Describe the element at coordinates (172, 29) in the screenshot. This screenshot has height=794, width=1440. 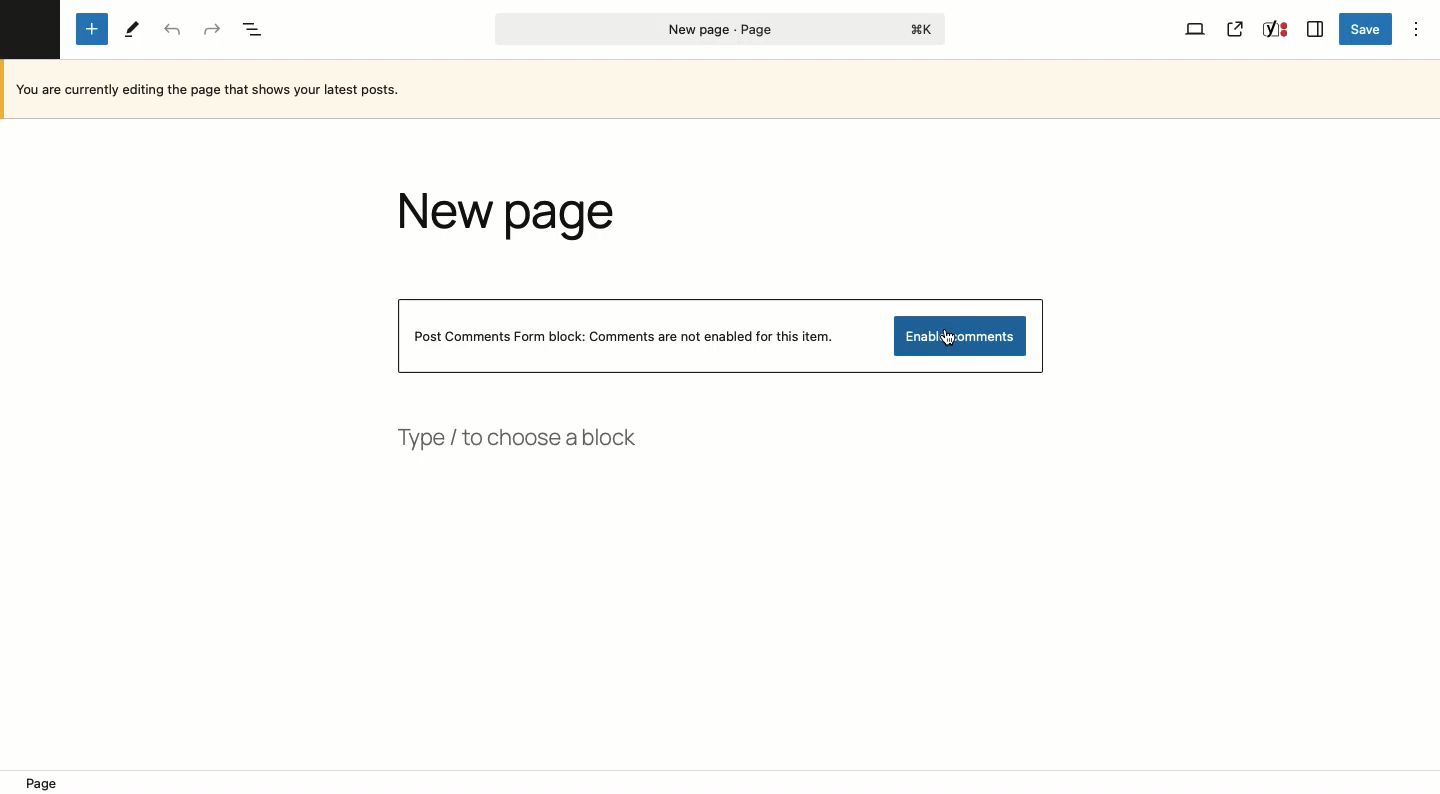
I see `Undo` at that location.